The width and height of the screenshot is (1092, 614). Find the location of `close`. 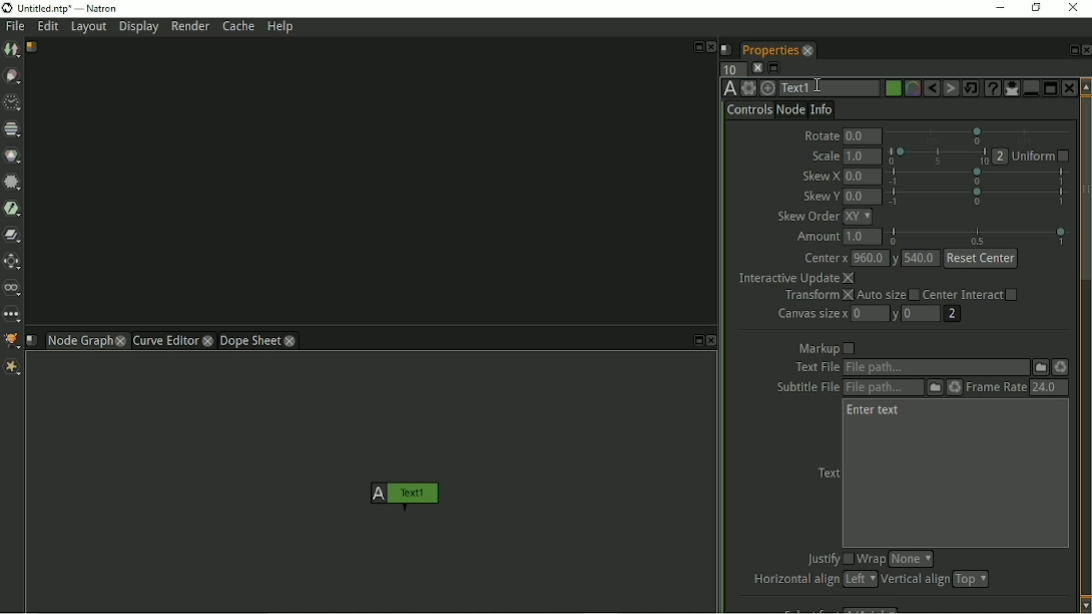

close is located at coordinates (808, 50).